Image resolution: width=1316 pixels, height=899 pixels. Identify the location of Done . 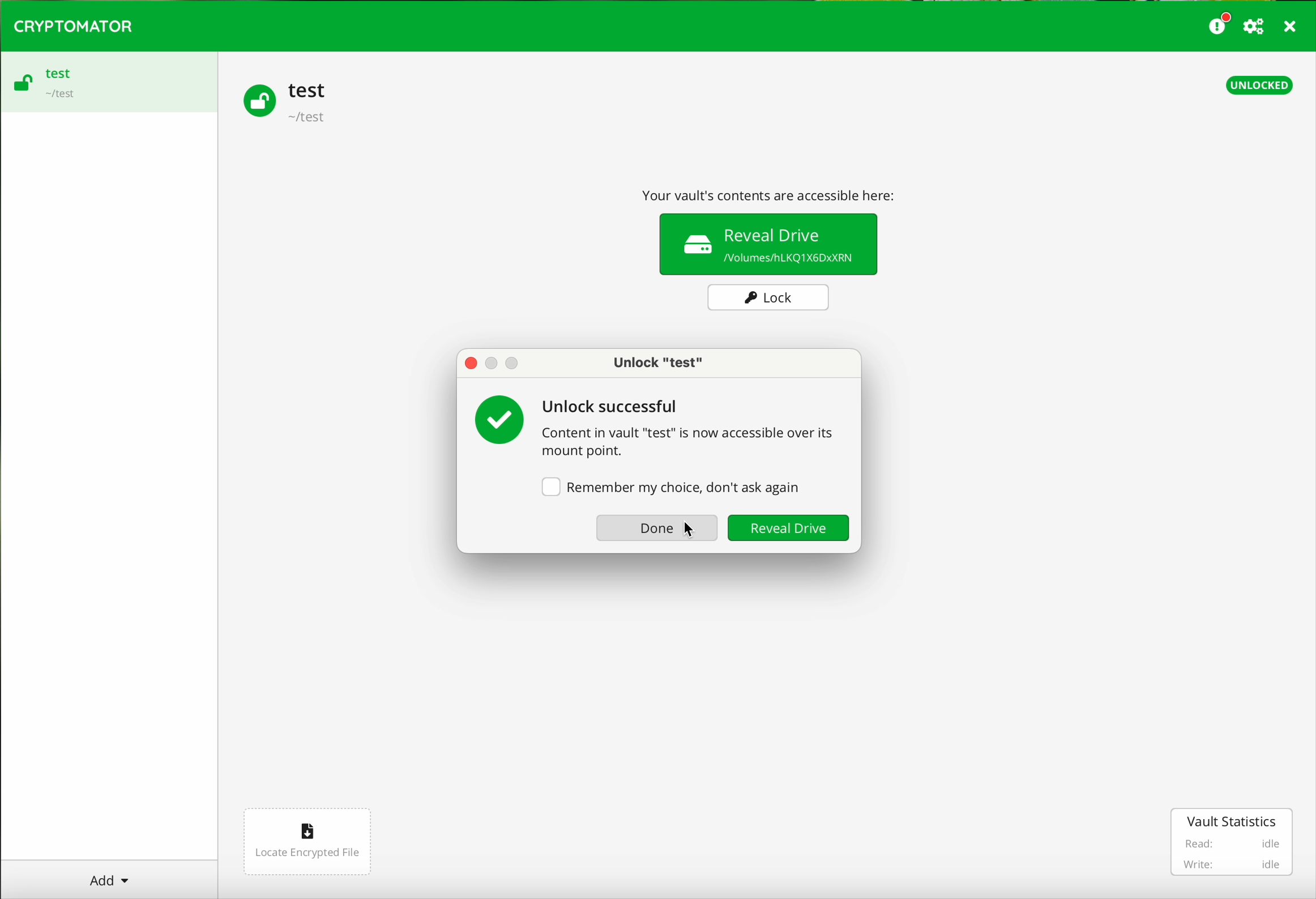
(654, 528).